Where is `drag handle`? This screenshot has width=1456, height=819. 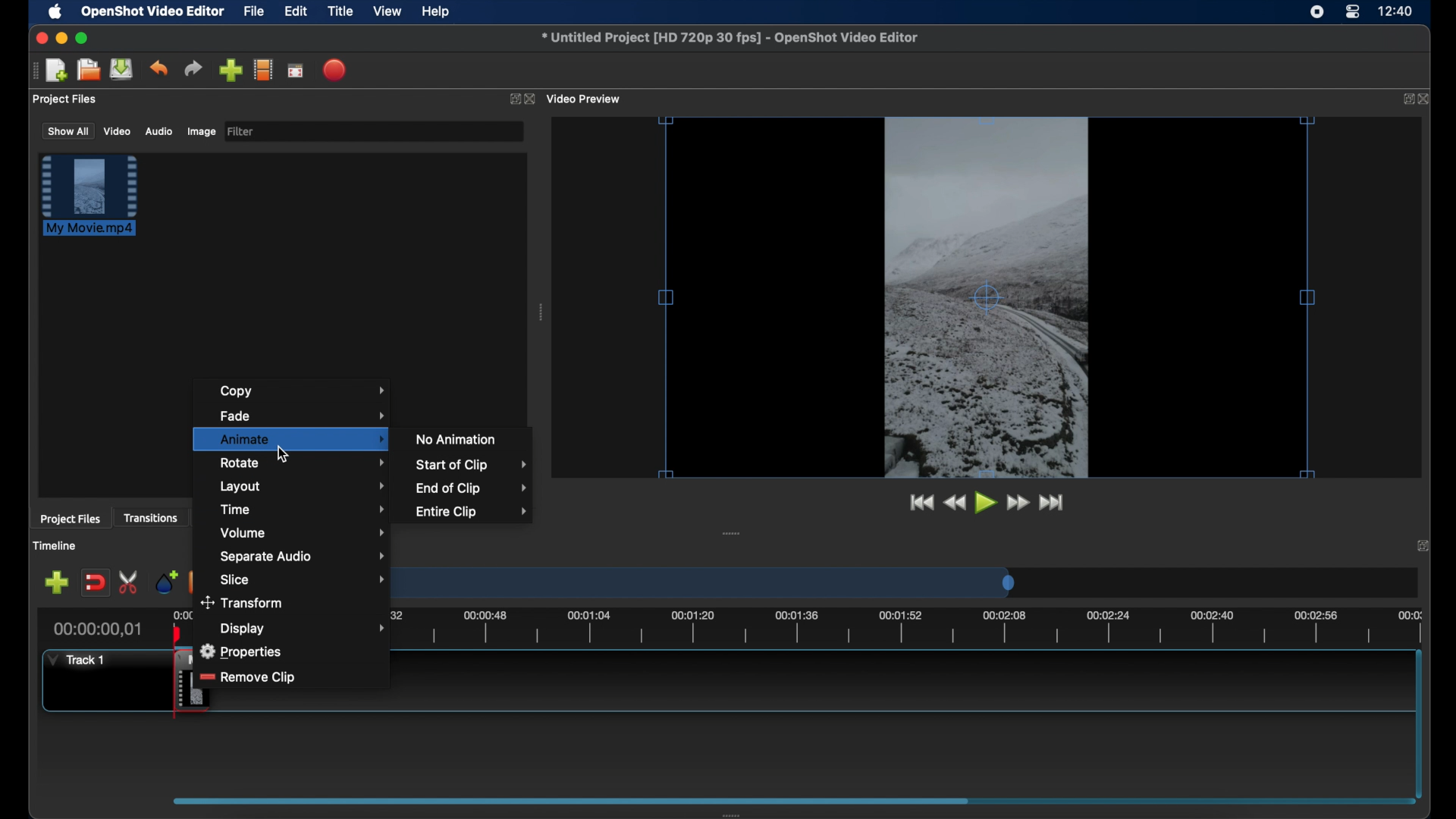
drag handle is located at coordinates (732, 535).